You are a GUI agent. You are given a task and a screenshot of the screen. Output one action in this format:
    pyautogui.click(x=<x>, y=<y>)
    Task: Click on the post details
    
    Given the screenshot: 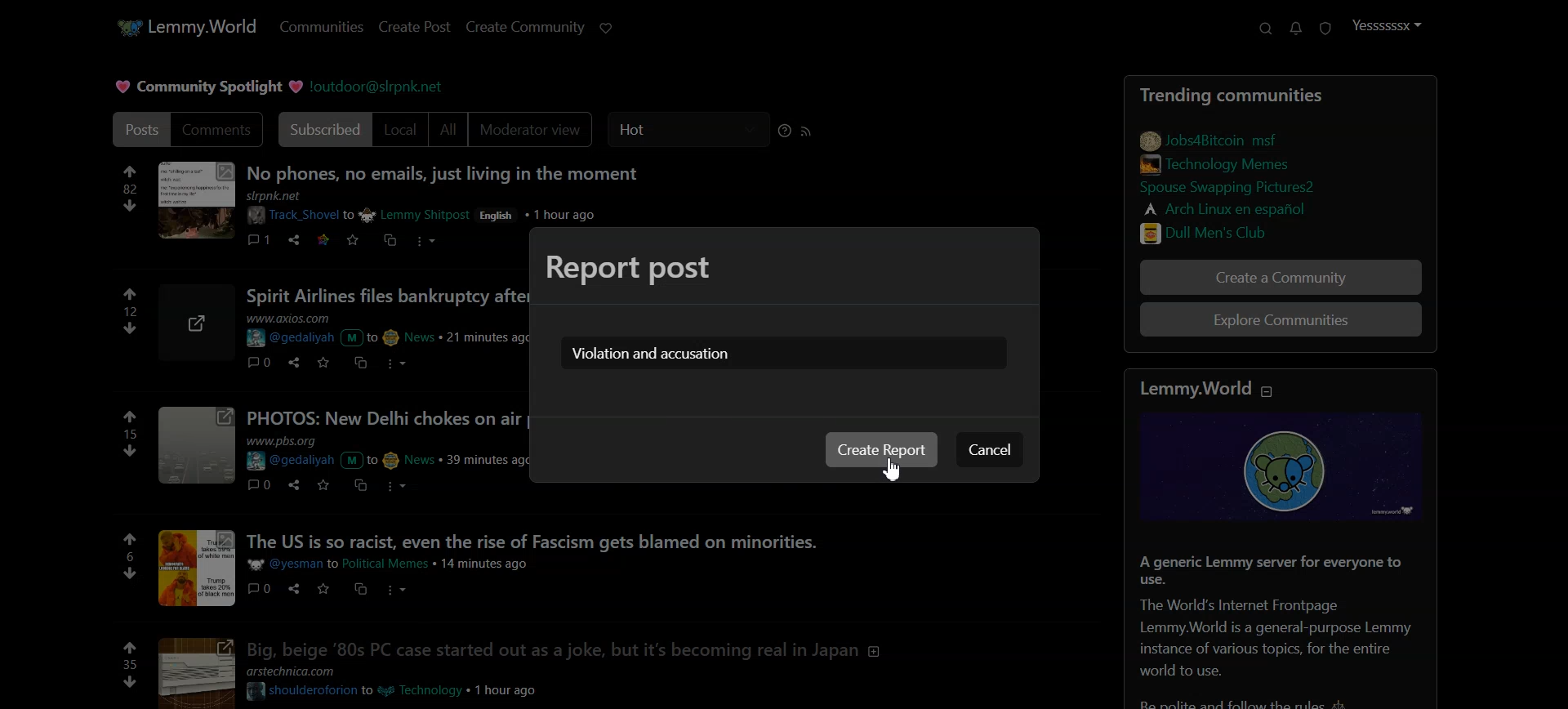 What is the action you would take?
    pyautogui.click(x=406, y=682)
    